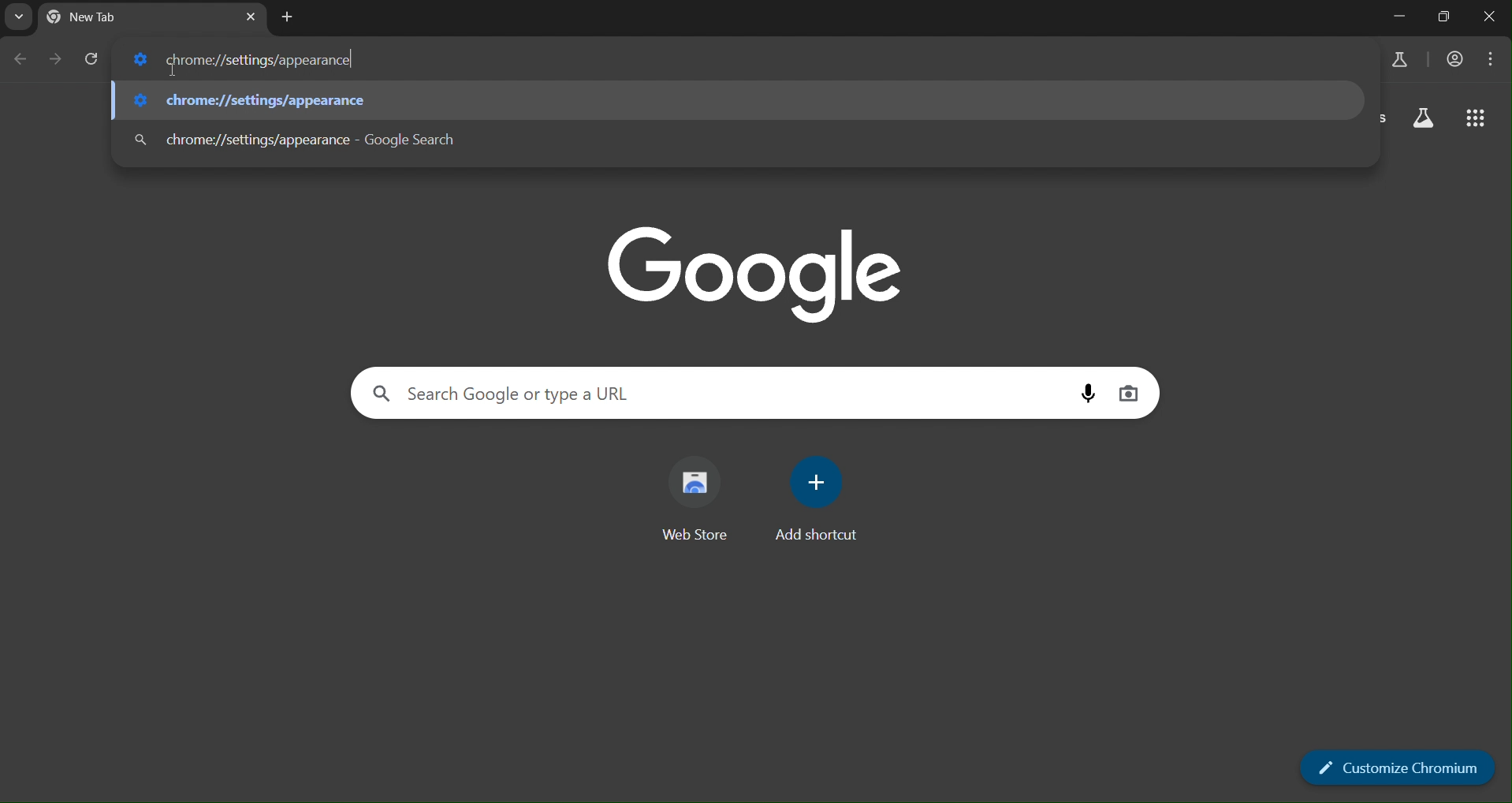 The width and height of the screenshot is (1512, 803). Describe the element at coordinates (286, 20) in the screenshot. I see `new tab` at that location.